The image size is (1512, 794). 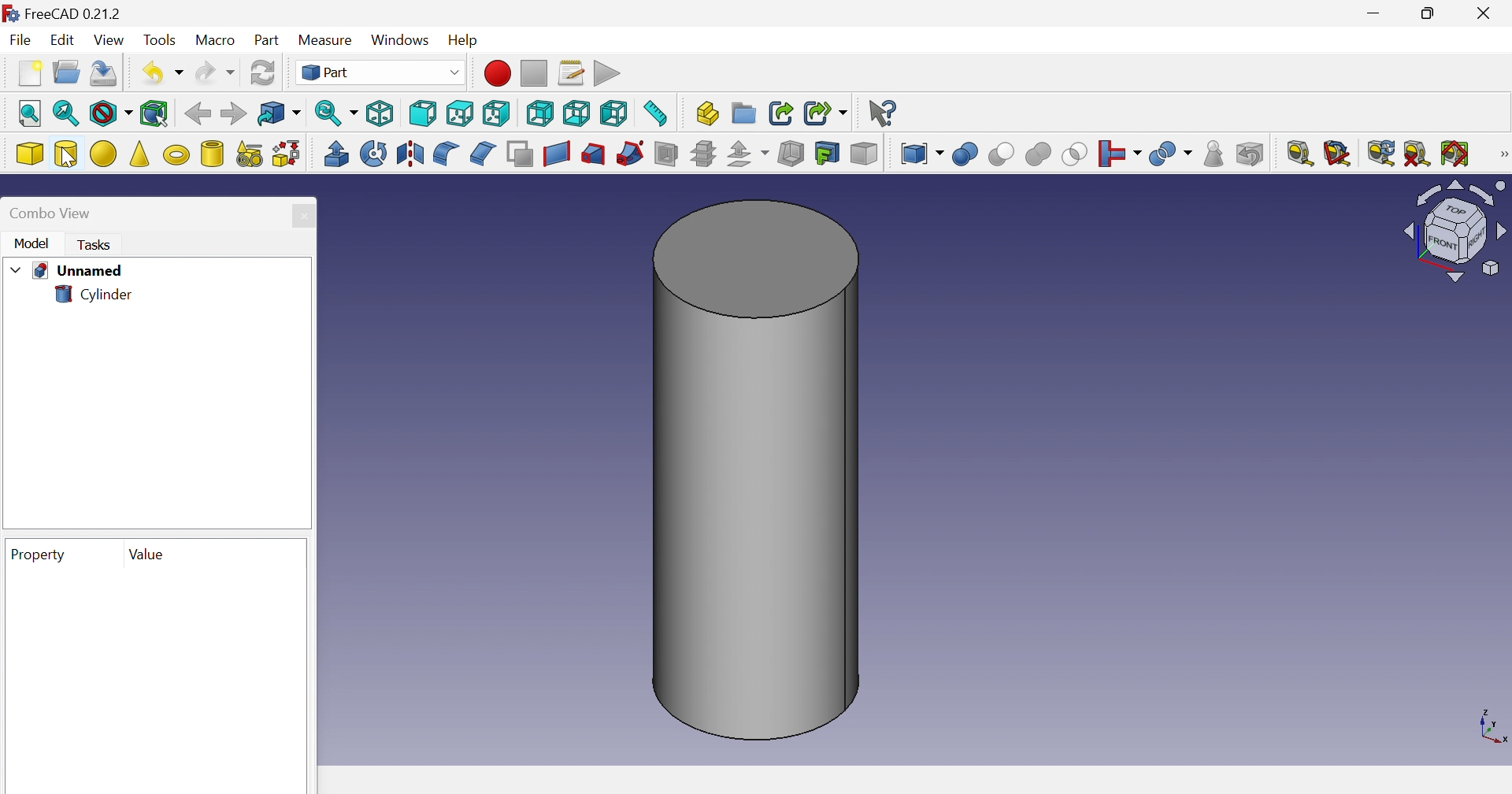 I want to click on File, so click(x=19, y=39).